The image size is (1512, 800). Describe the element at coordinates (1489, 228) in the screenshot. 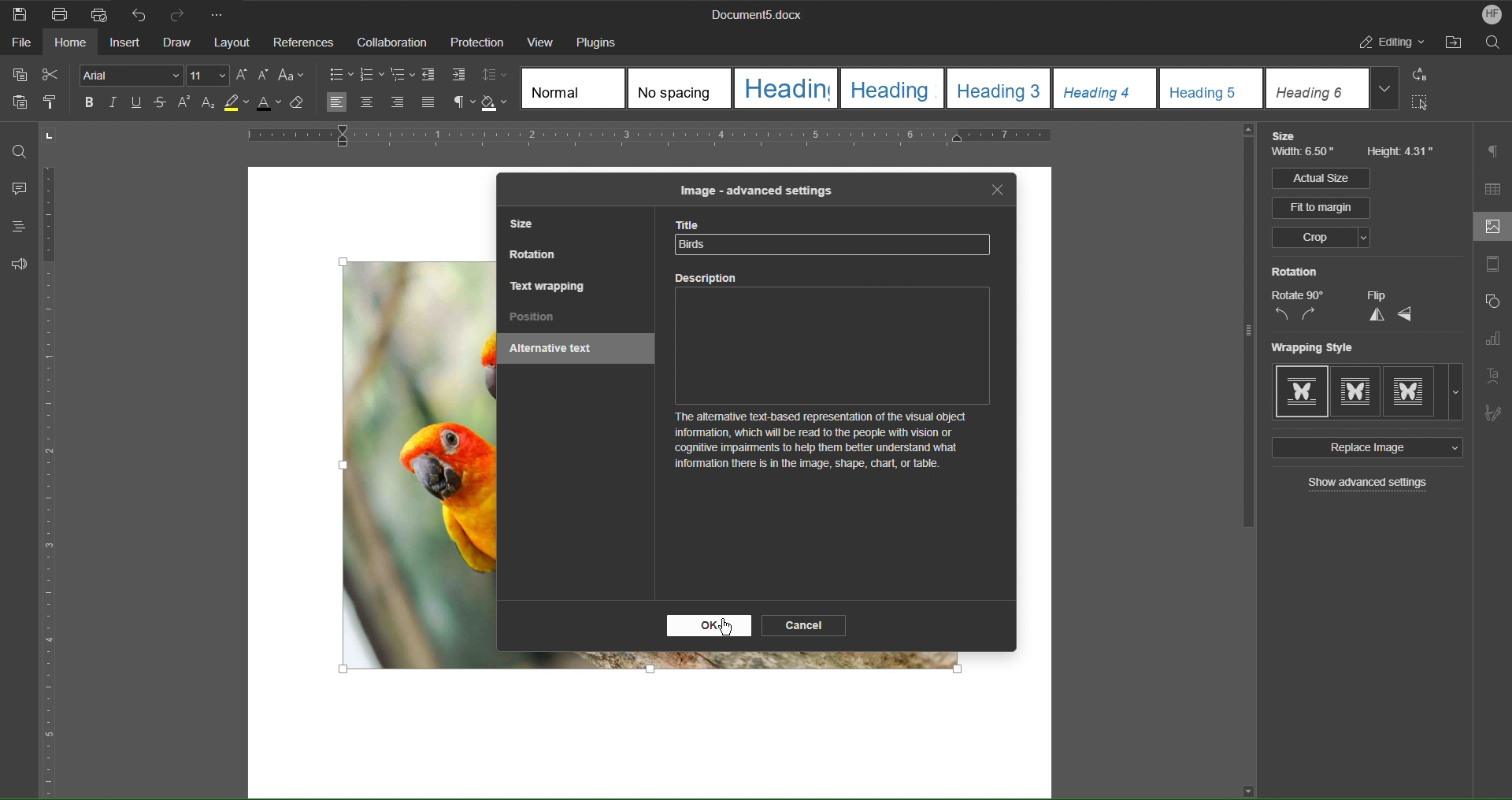

I see `Image Settings` at that location.